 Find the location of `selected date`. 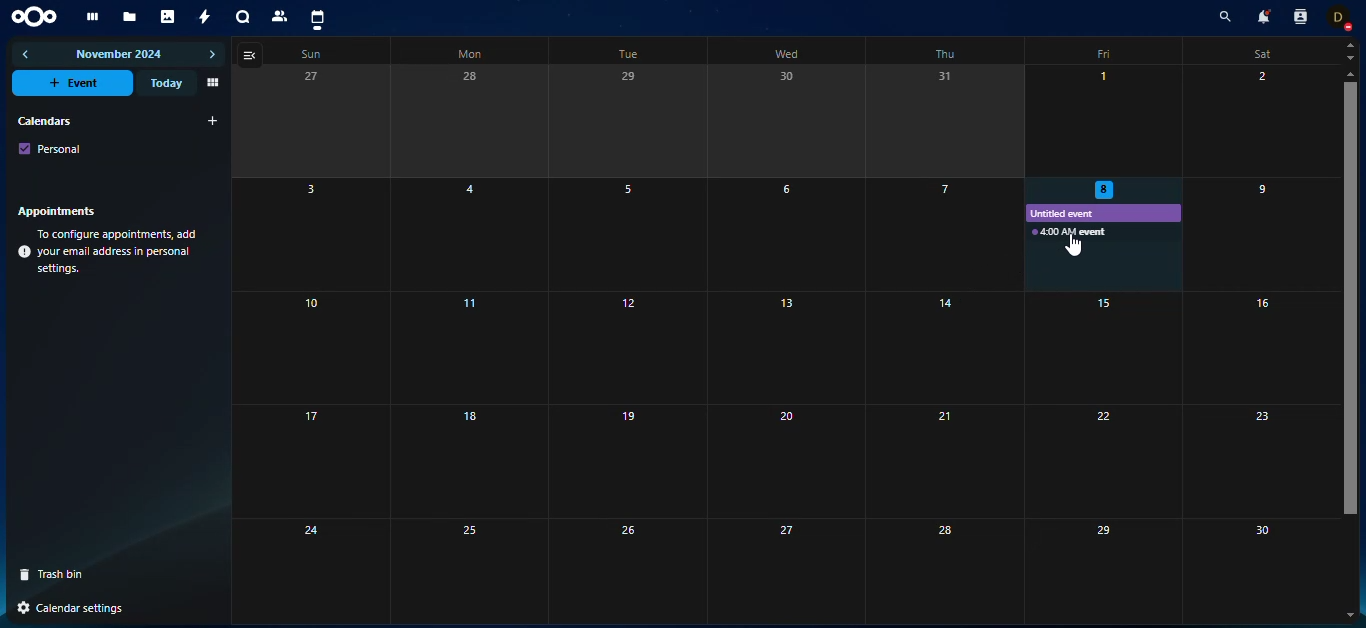

selected date is located at coordinates (1105, 188).